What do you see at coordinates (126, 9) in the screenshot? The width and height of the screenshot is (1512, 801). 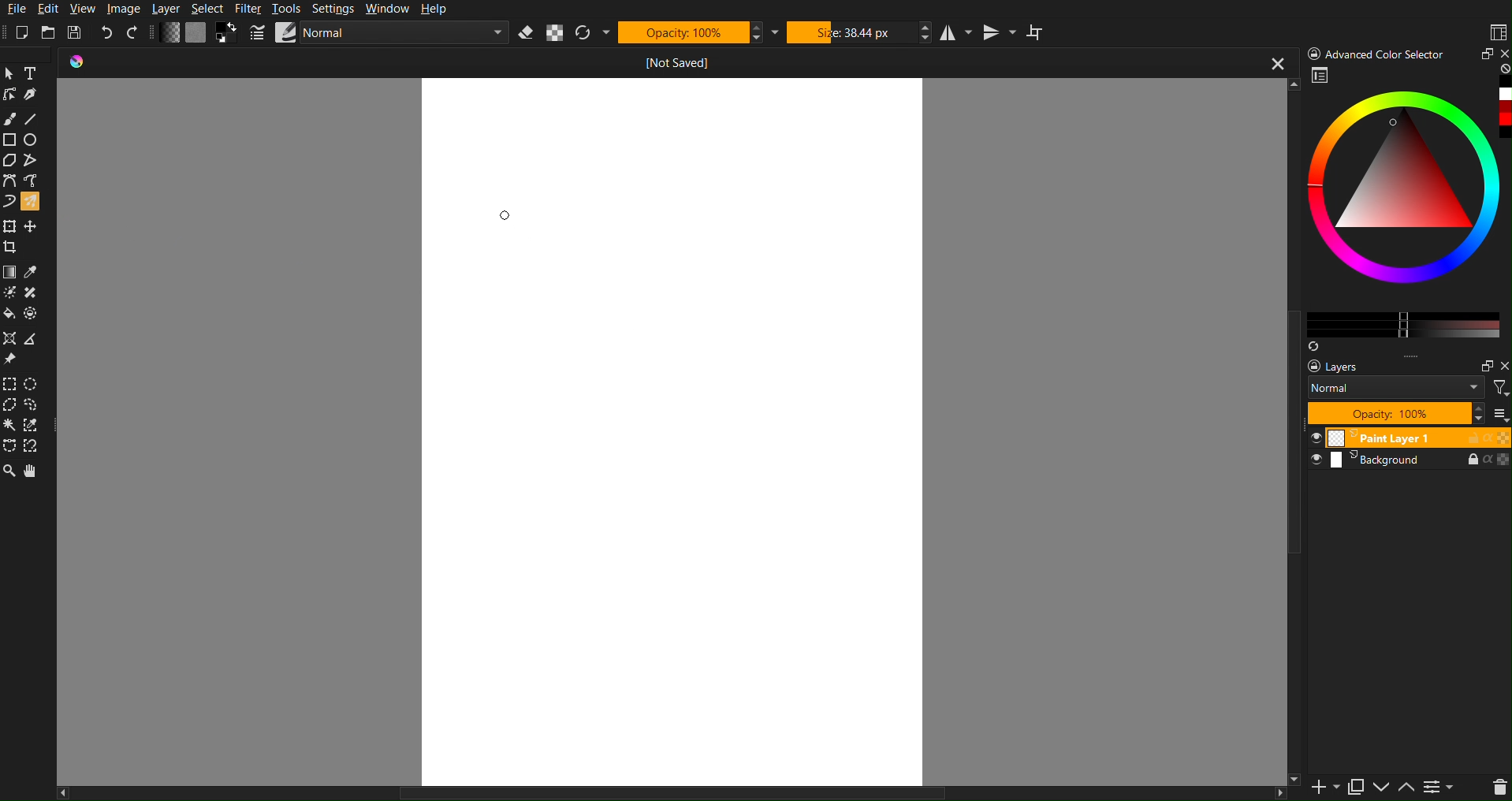 I see `Image` at bounding box center [126, 9].